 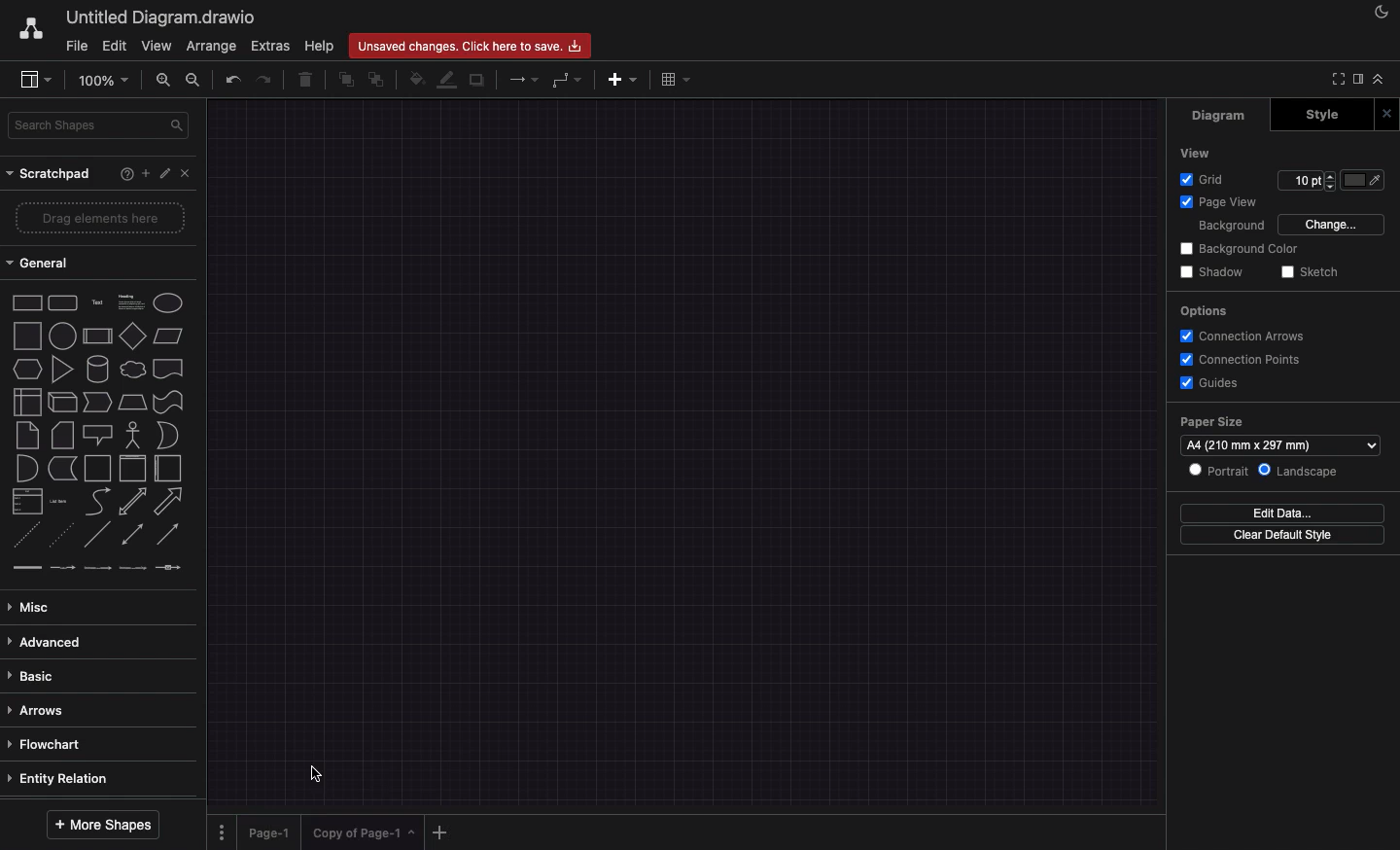 What do you see at coordinates (168, 336) in the screenshot?
I see `parallelogram` at bounding box center [168, 336].